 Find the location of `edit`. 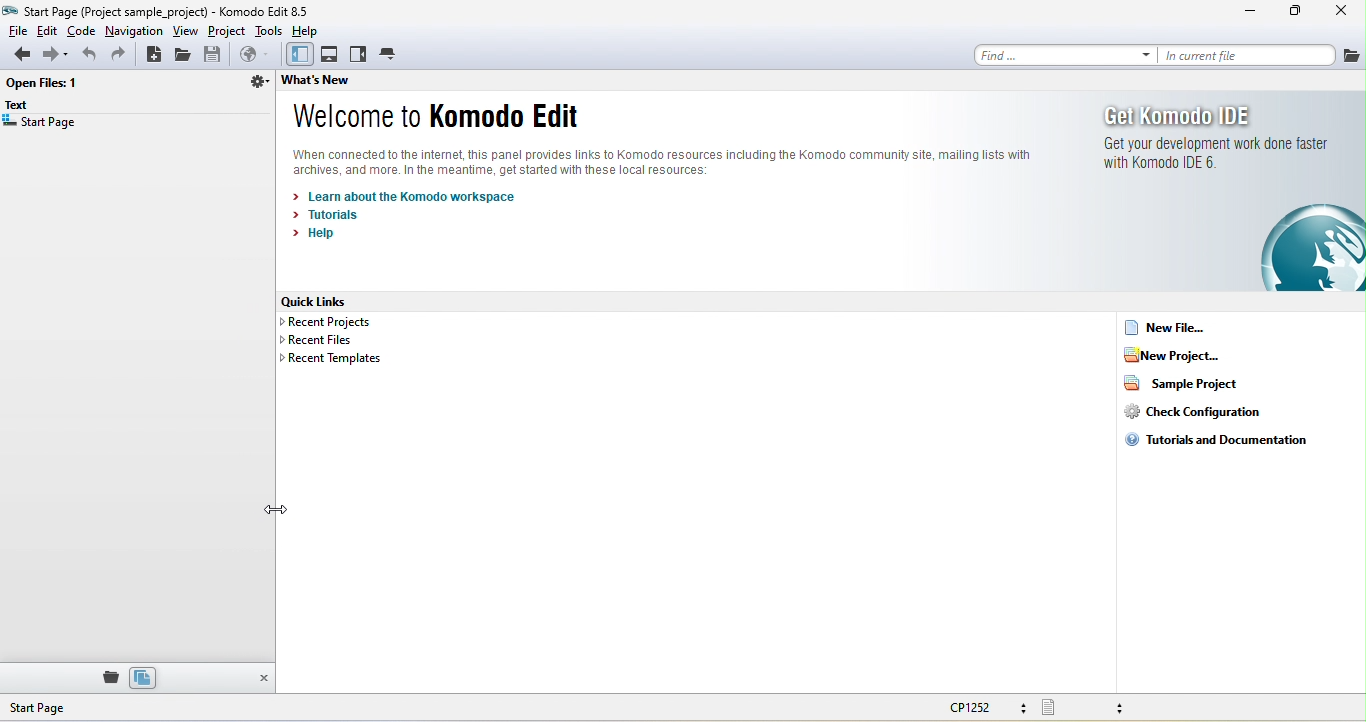

edit is located at coordinates (48, 30).